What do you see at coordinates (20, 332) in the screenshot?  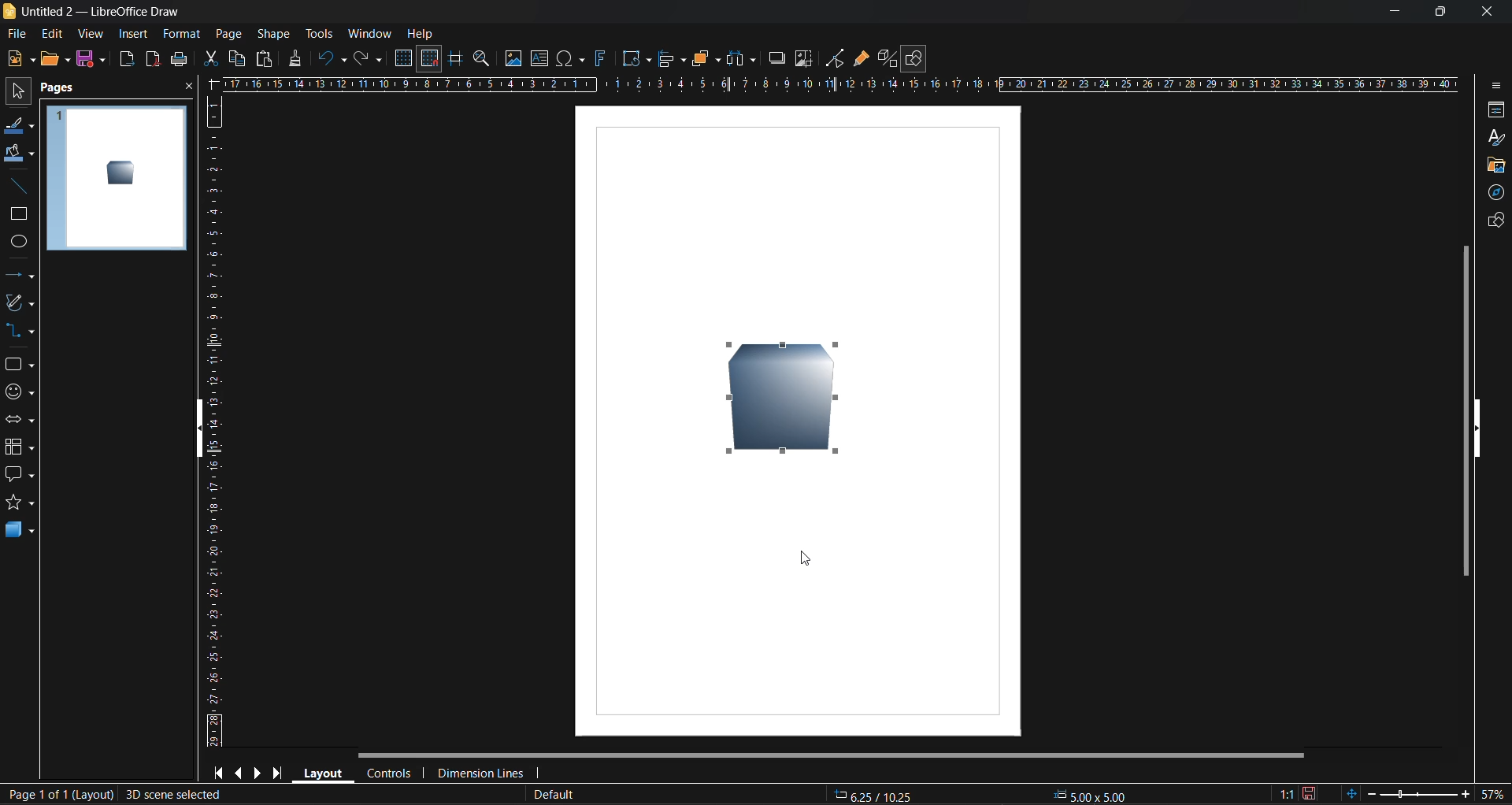 I see `connectors` at bounding box center [20, 332].